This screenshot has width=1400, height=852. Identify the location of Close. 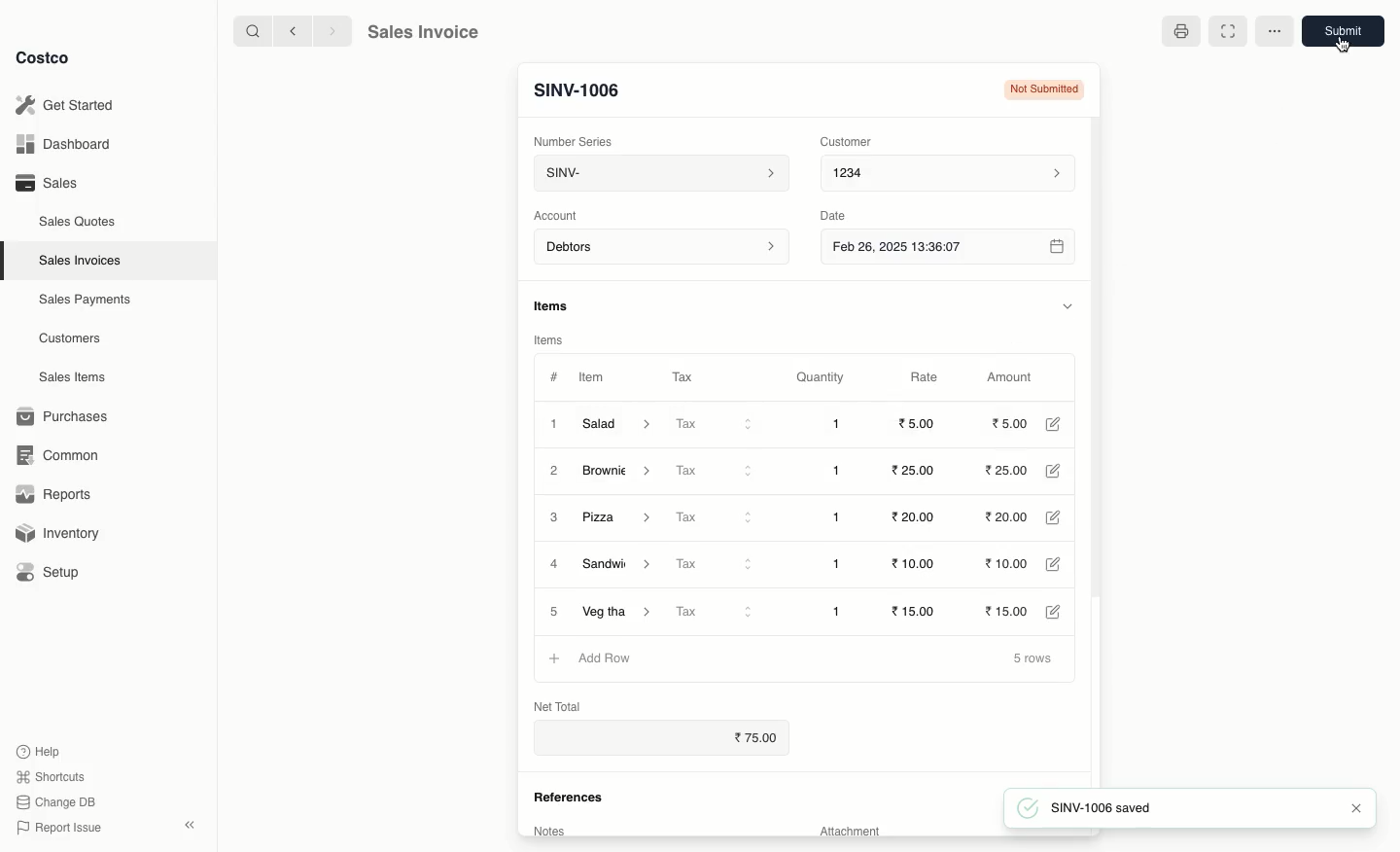
(1355, 808).